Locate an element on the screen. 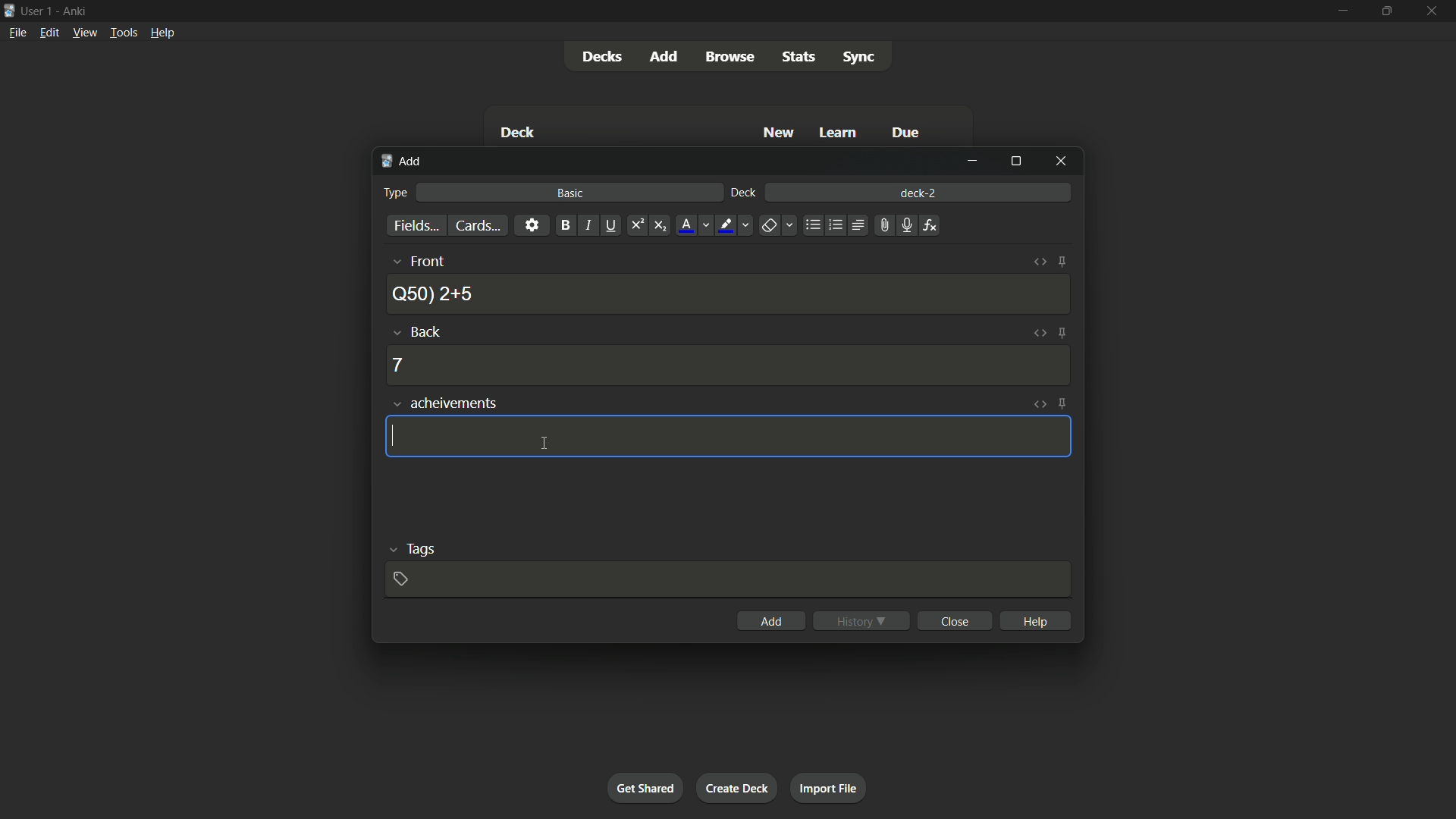 This screenshot has width=1456, height=819. close is located at coordinates (954, 620).